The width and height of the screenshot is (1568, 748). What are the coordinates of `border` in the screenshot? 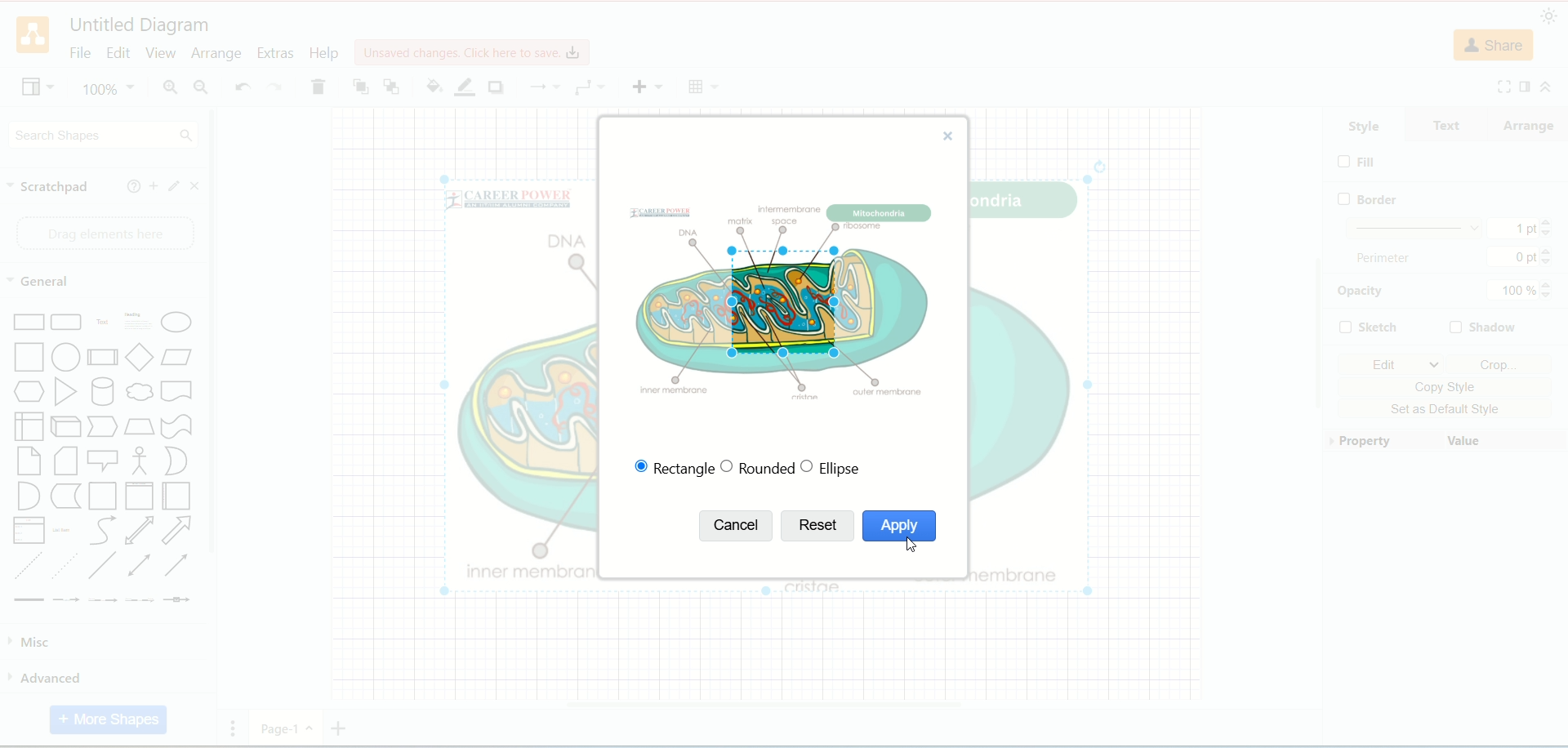 It's located at (1374, 198).